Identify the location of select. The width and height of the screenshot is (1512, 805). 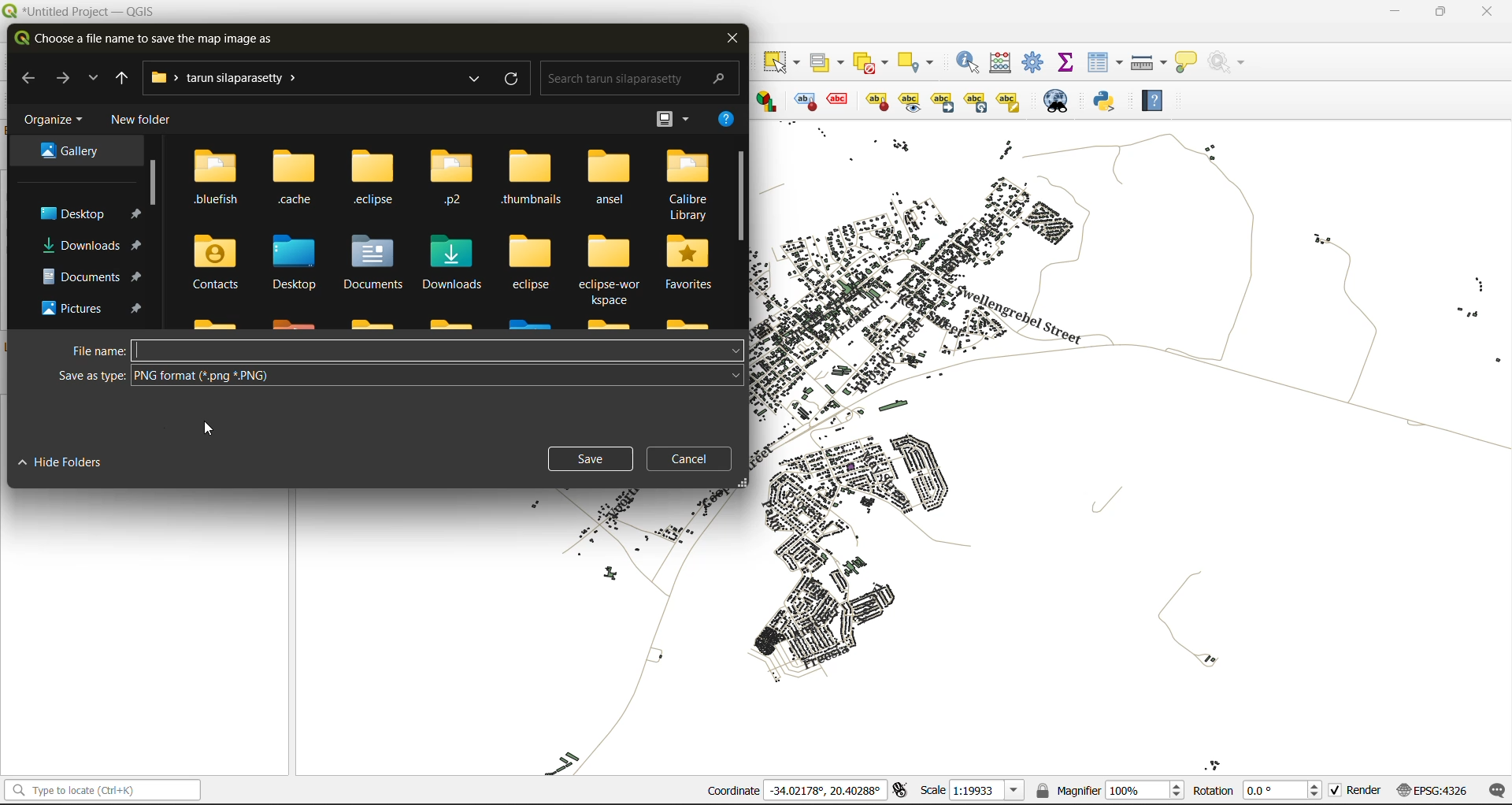
(784, 62).